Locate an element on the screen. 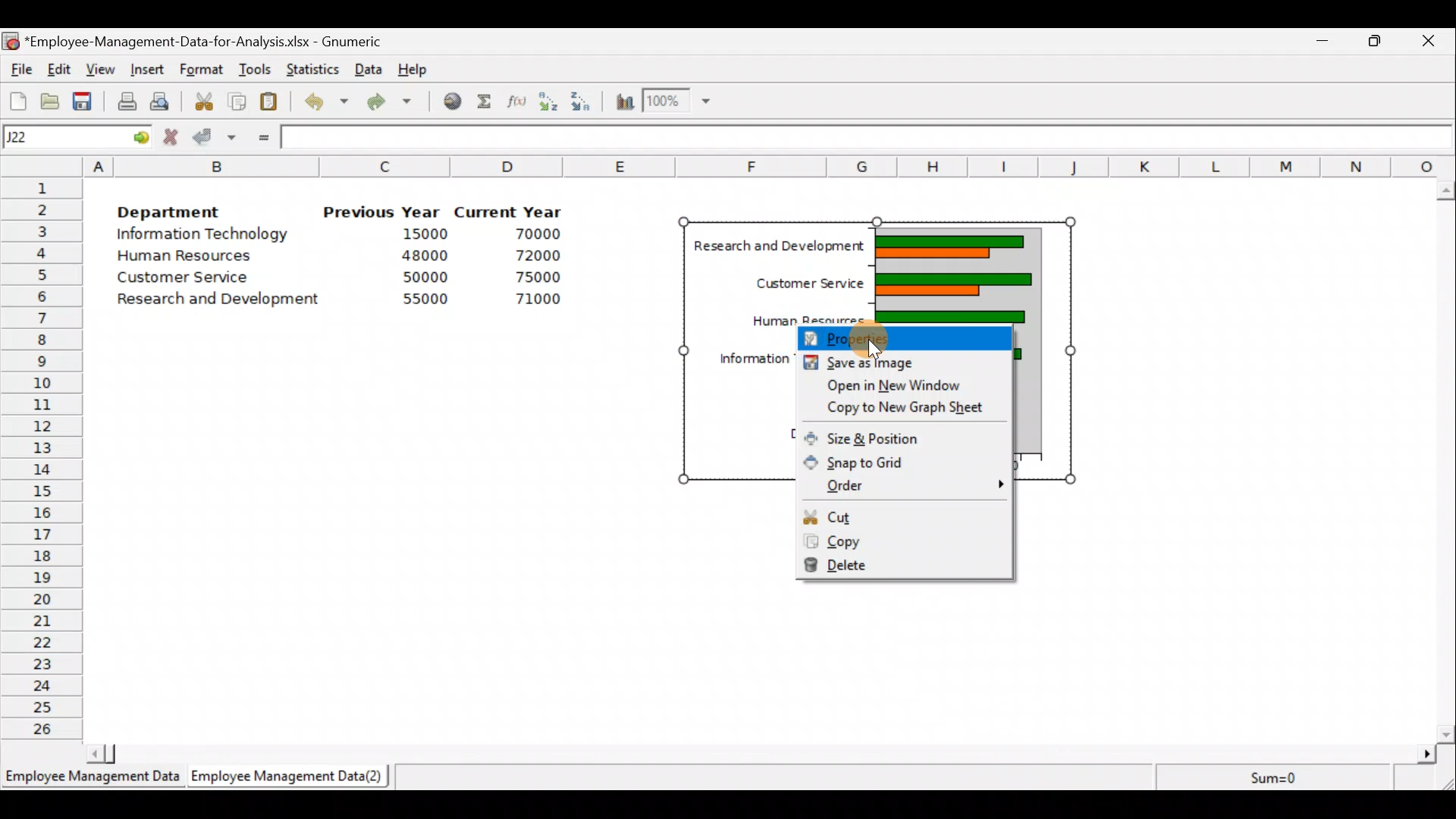  Enter formula is located at coordinates (261, 138).